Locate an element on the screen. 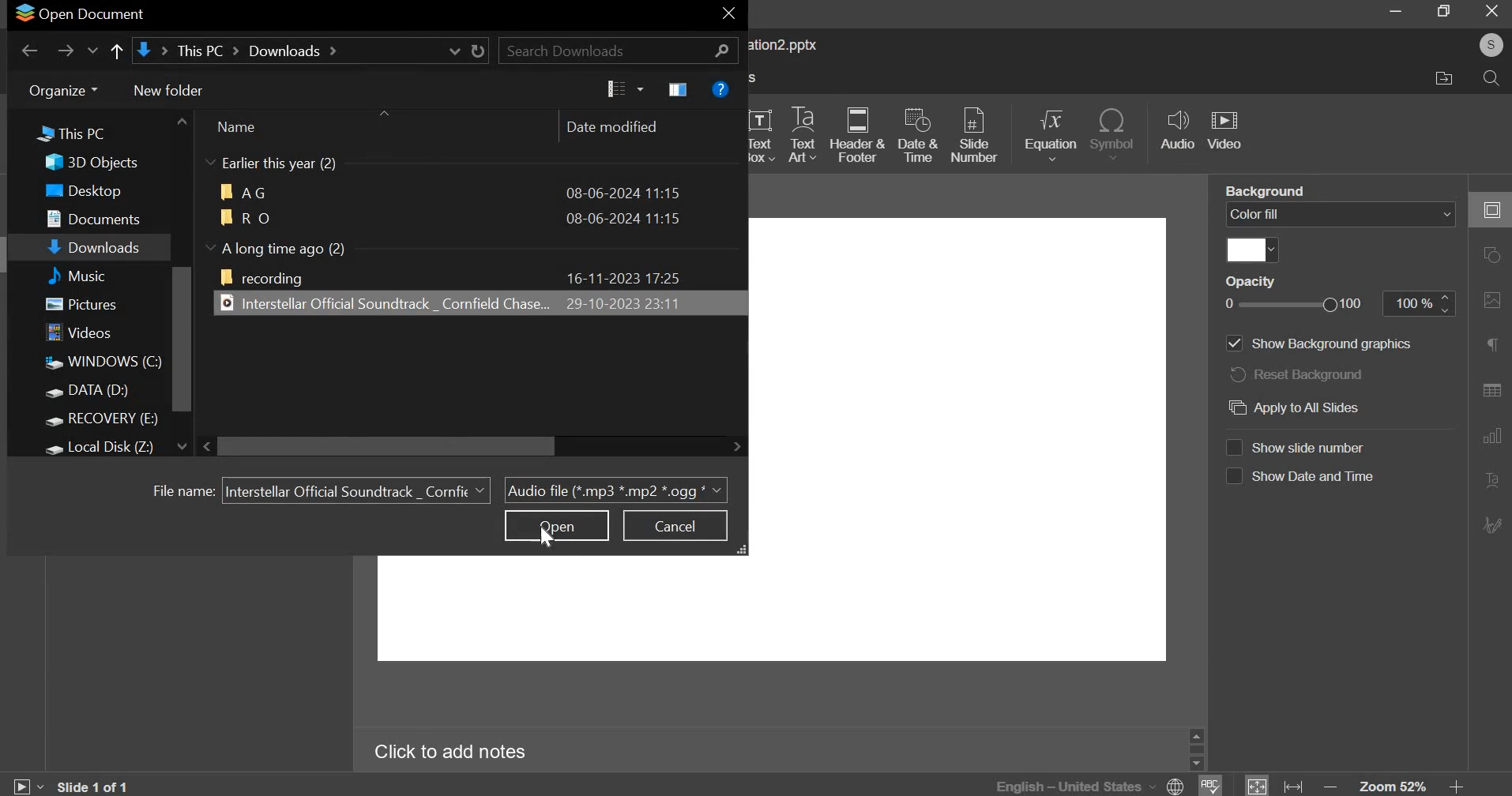 The height and width of the screenshot is (796, 1512). click here to add notes is located at coordinates (451, 749).